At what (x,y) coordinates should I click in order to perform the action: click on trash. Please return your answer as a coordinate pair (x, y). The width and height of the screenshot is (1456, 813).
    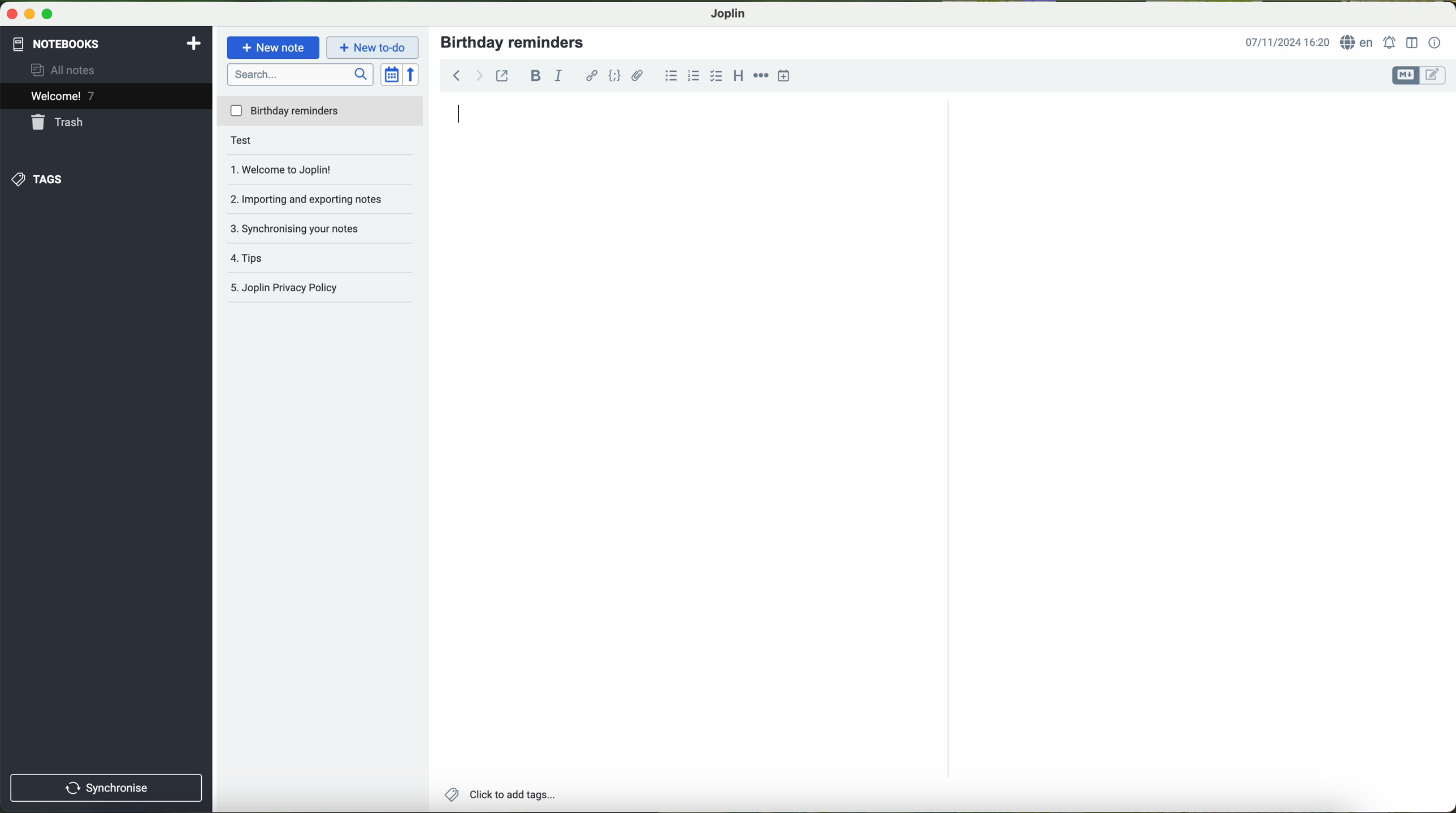
    Looking at the image, I should click on (62, 123).